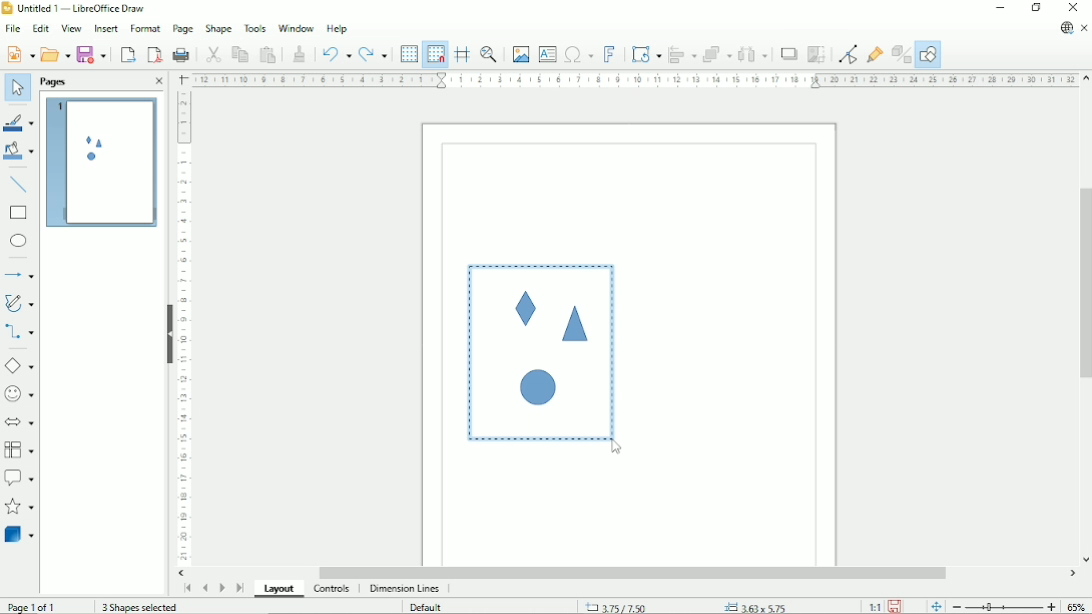 This screenshot has width=1092, height=614. Describe the element at coordinates (105, 28) in the screenshot. I see `Insert` at that location.